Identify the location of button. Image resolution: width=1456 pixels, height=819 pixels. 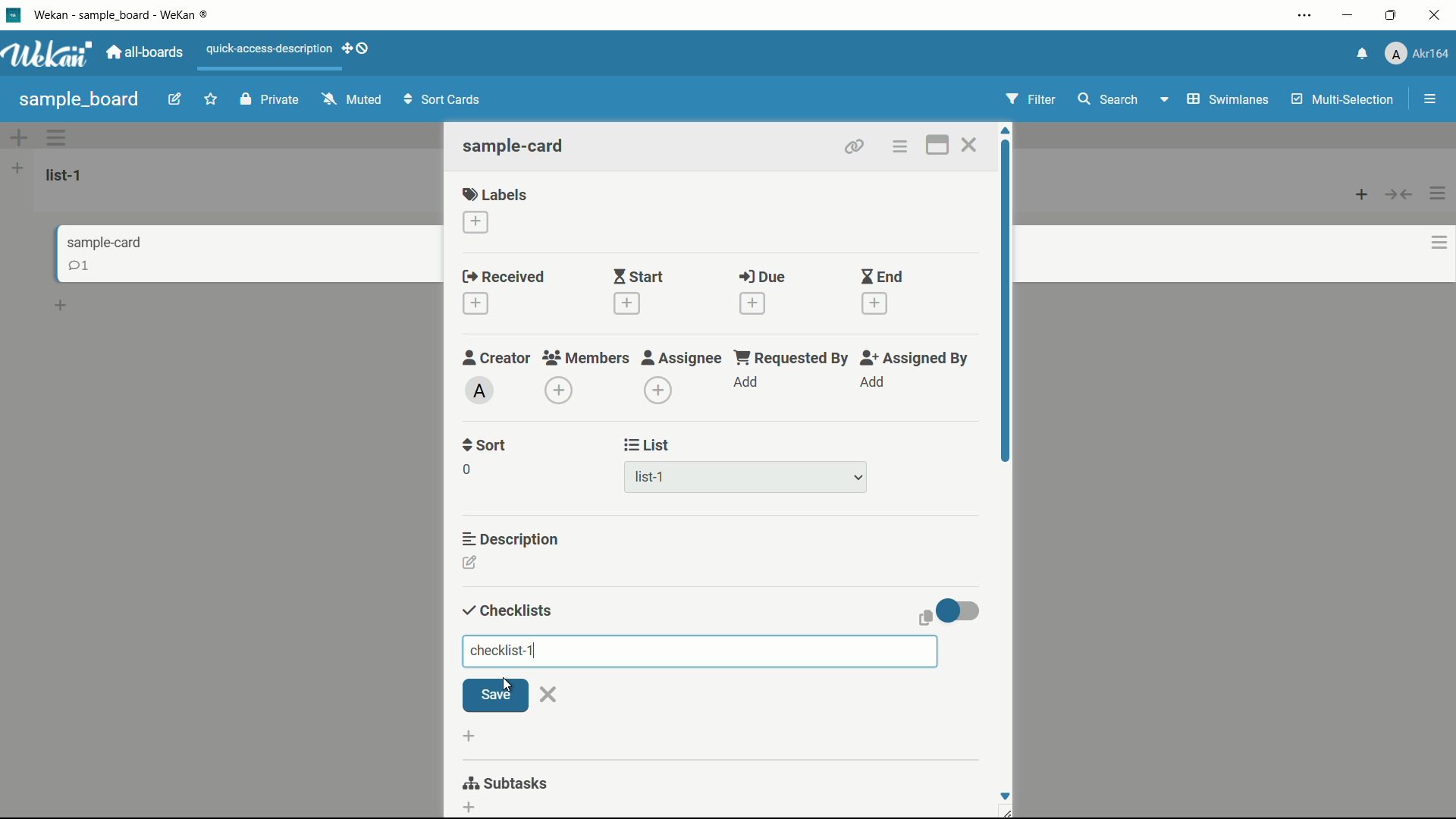
(1403, 193).